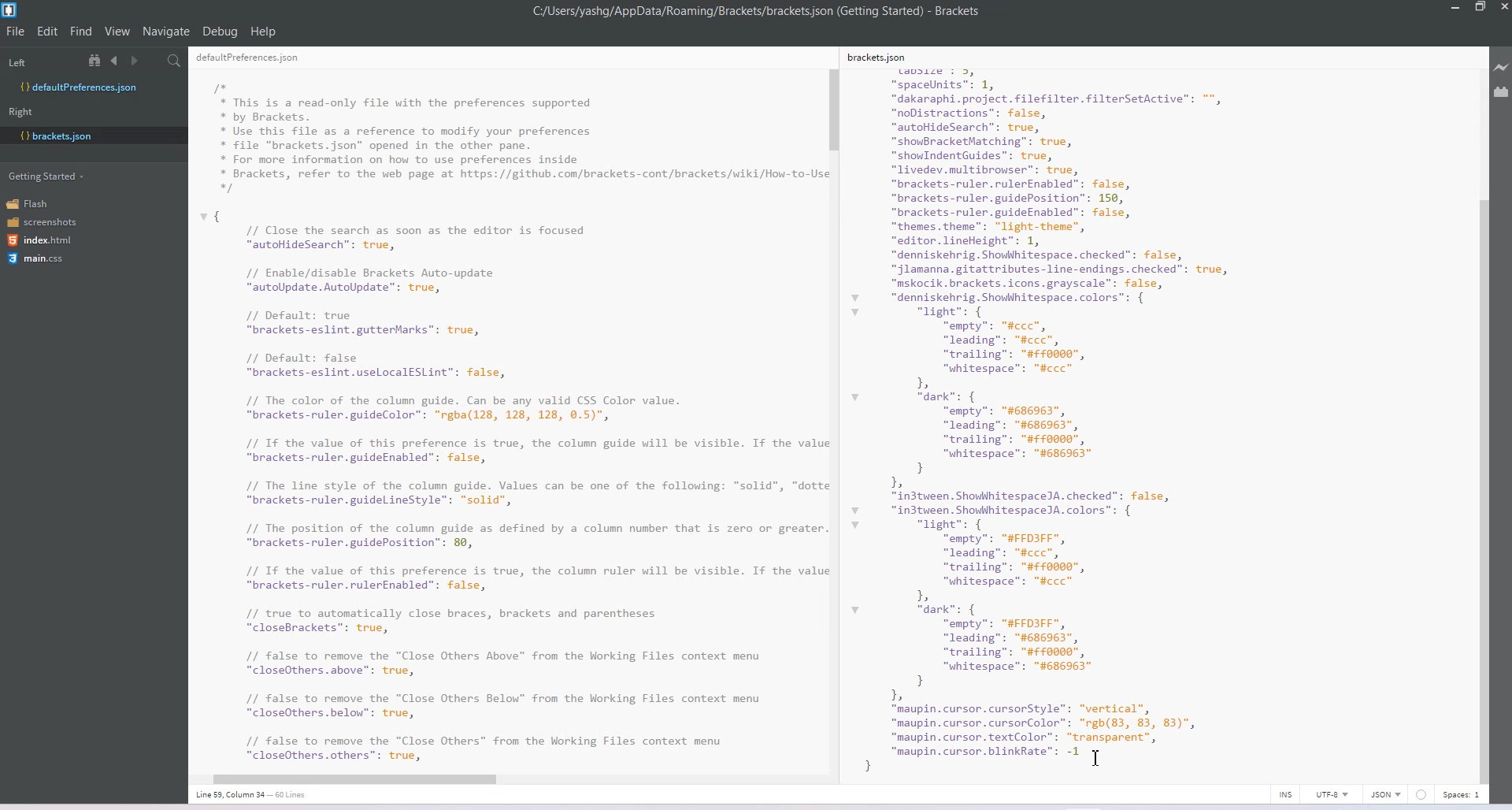 This screenshot has height=810, width=1512. Describe the element at coordinates (82, 31) in the screenshot. I see `Find` at that location.